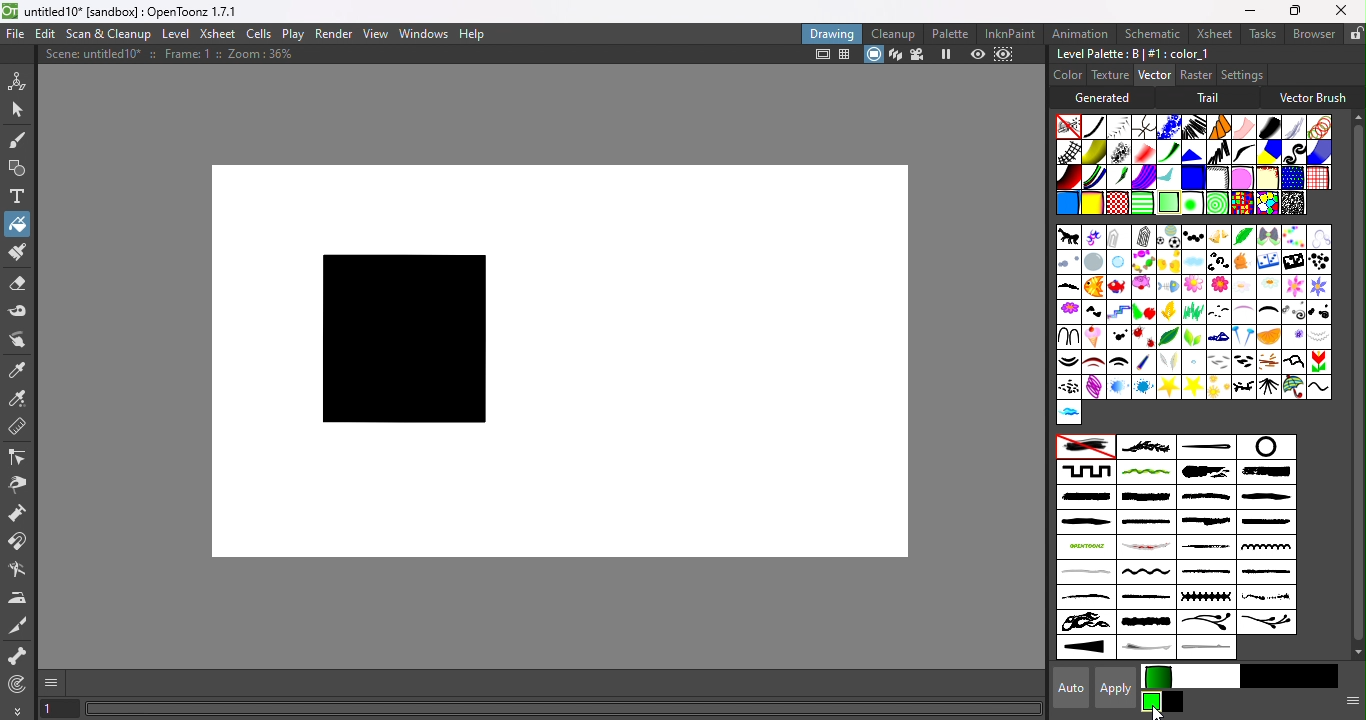  What do you see at coordinates (1065, 688) in the screenshot?
I see `Auto` at bounding box center [1065, 688].